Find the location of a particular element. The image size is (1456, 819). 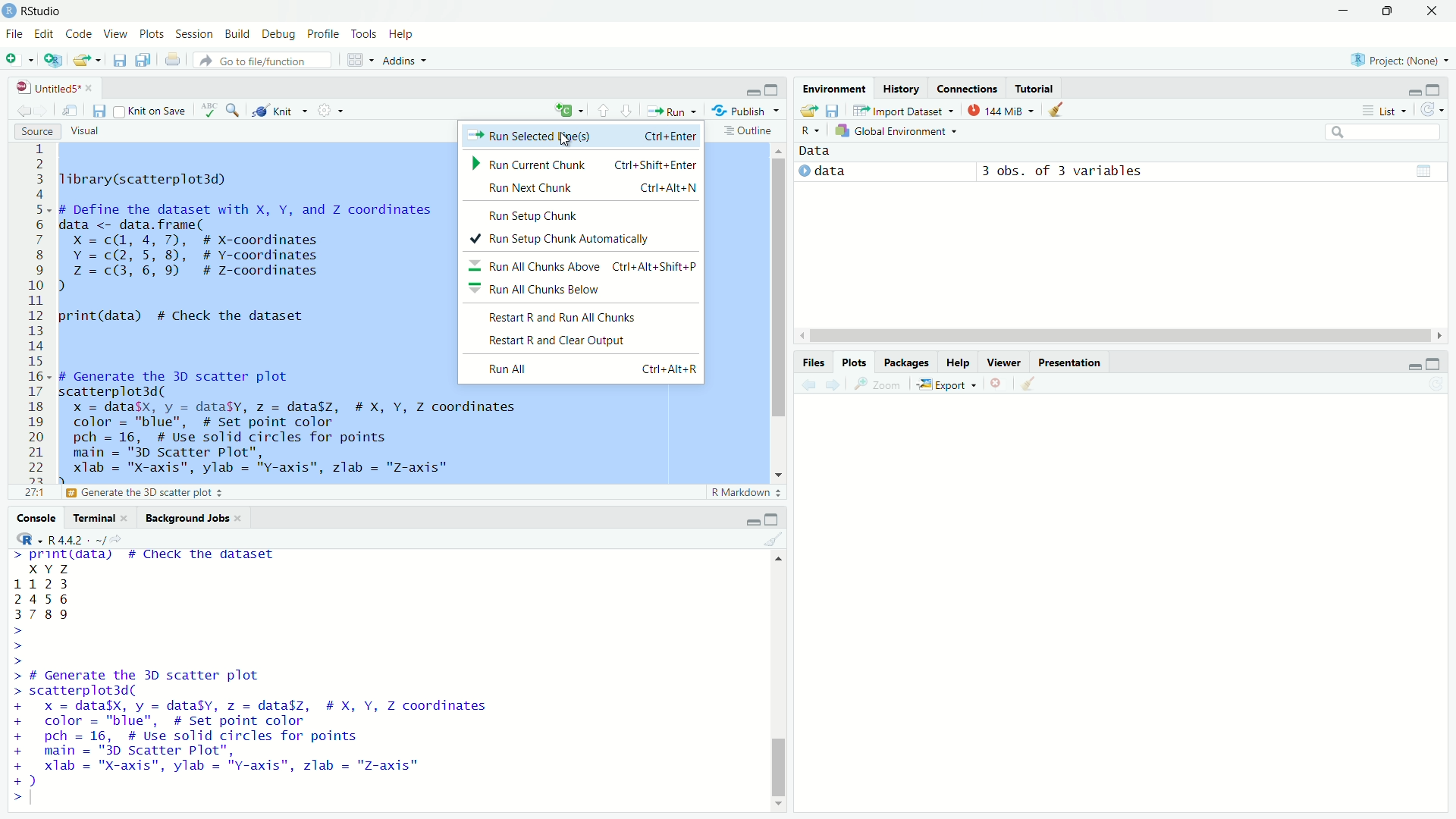

scrollbar is located at coordinates (778, 306).